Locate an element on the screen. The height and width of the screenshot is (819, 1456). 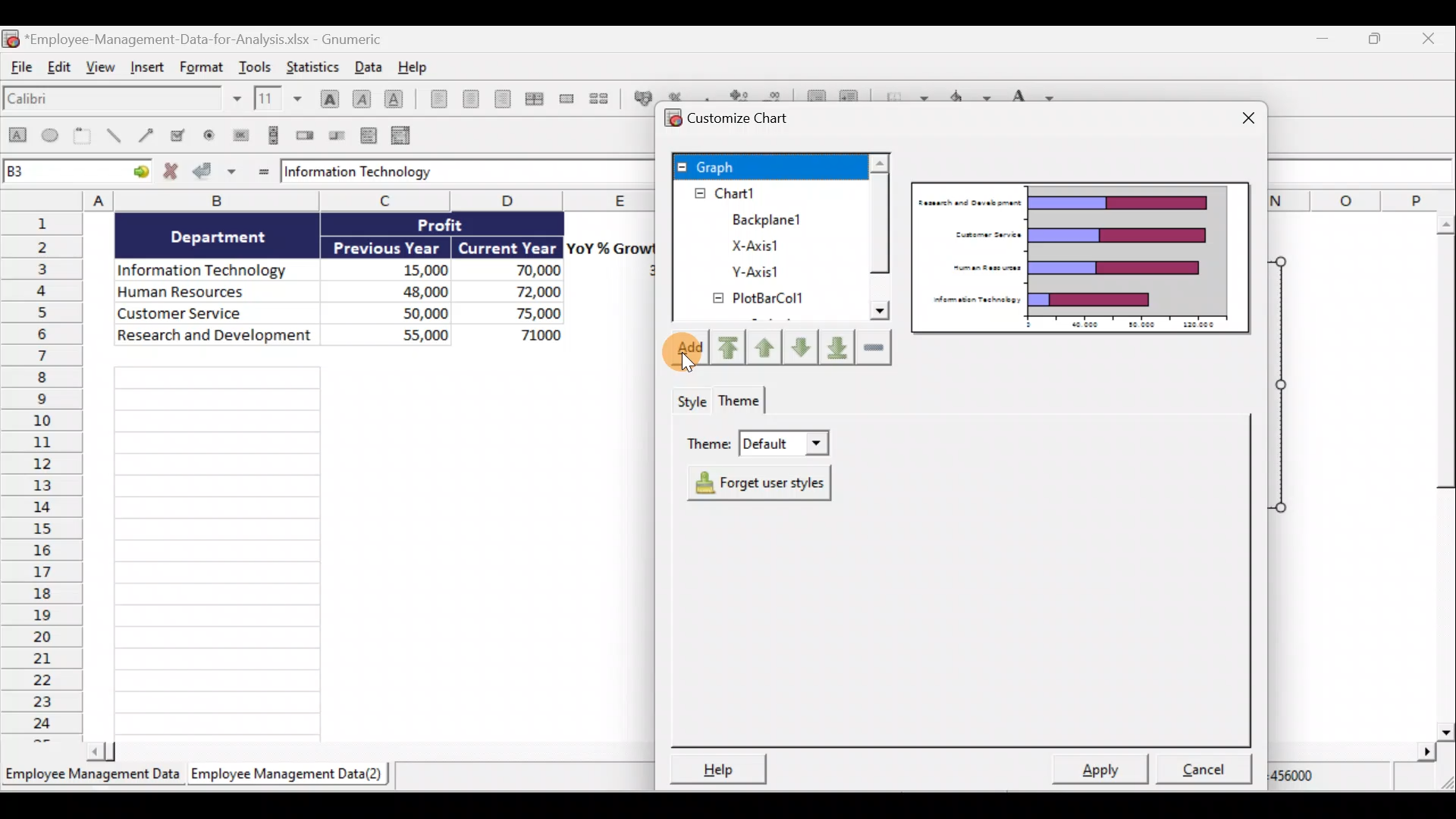
Research and Development is located at coordinates (215, 339).